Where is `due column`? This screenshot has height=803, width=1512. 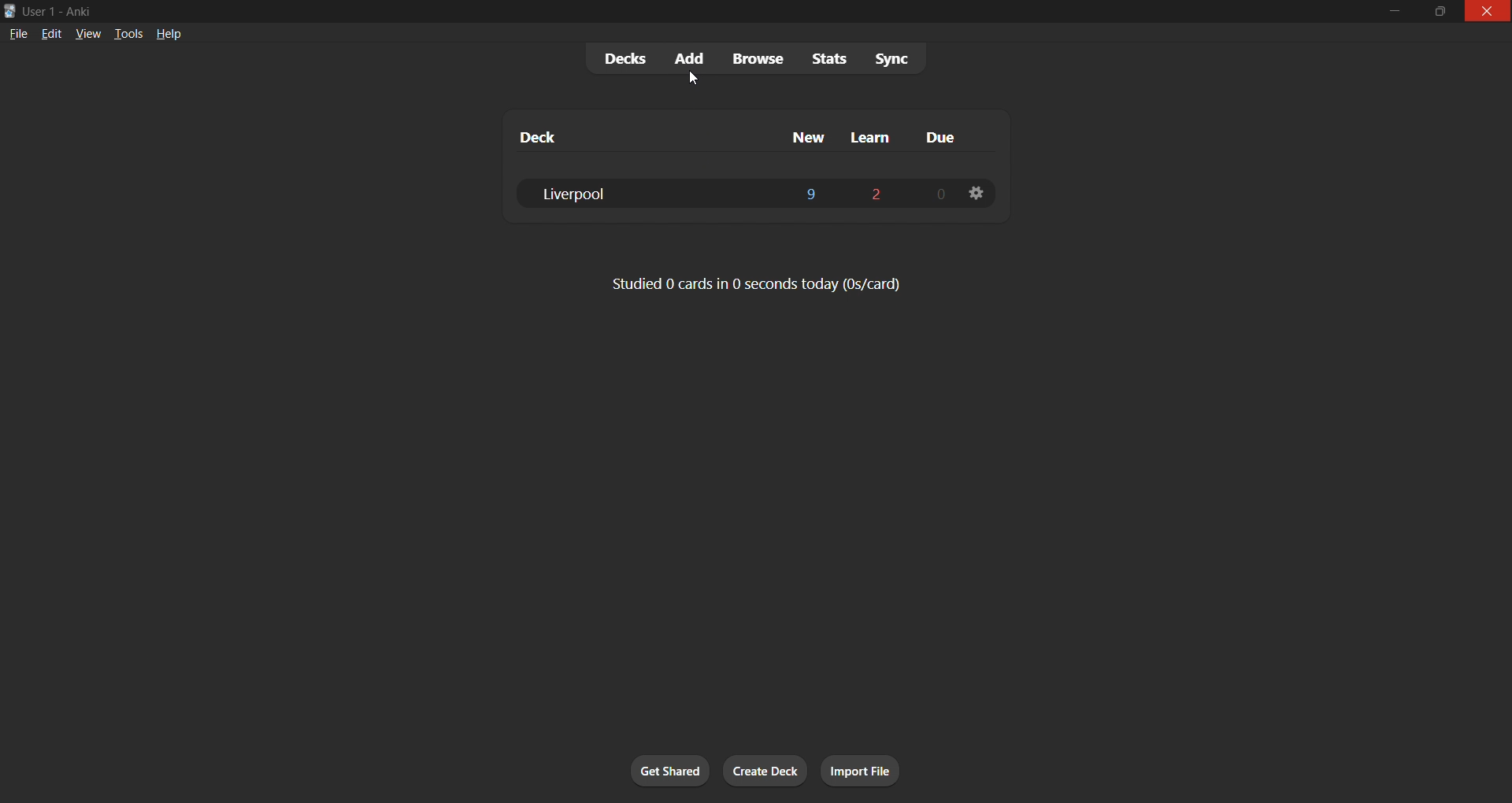
due column is located at coordinates (945, 139).